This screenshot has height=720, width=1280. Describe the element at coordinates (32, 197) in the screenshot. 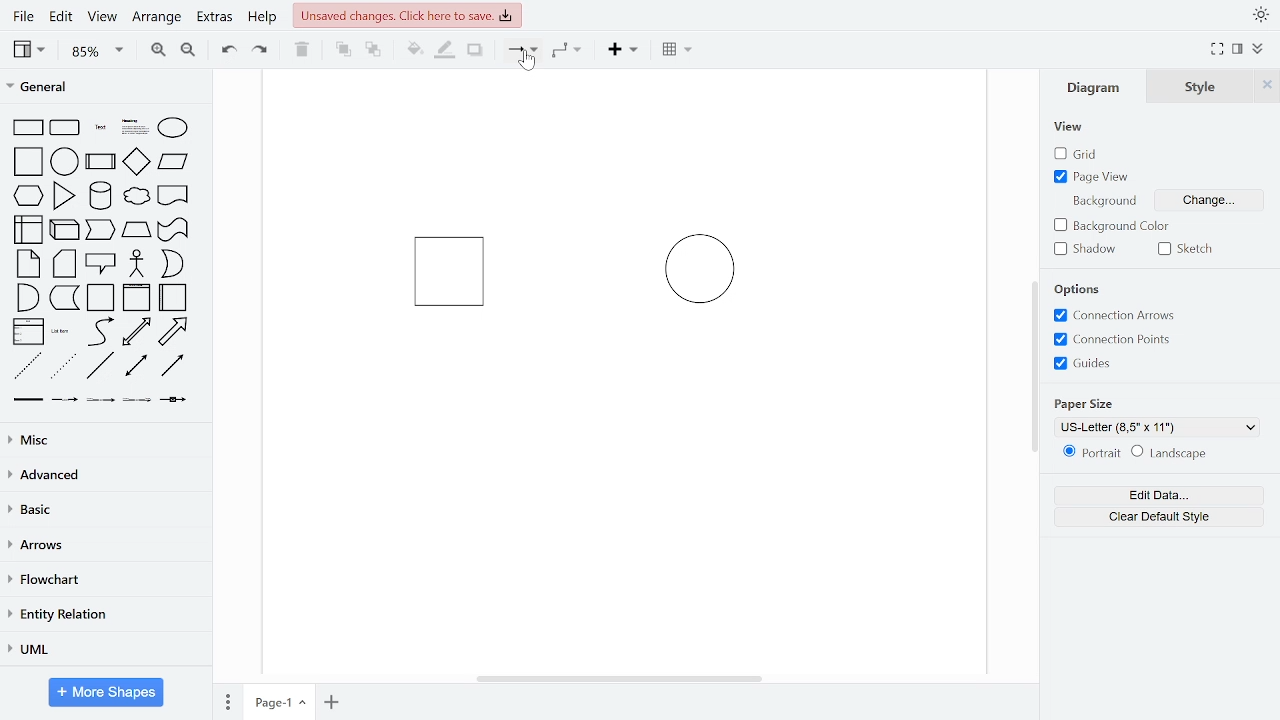

I see `hexagon` at that location.